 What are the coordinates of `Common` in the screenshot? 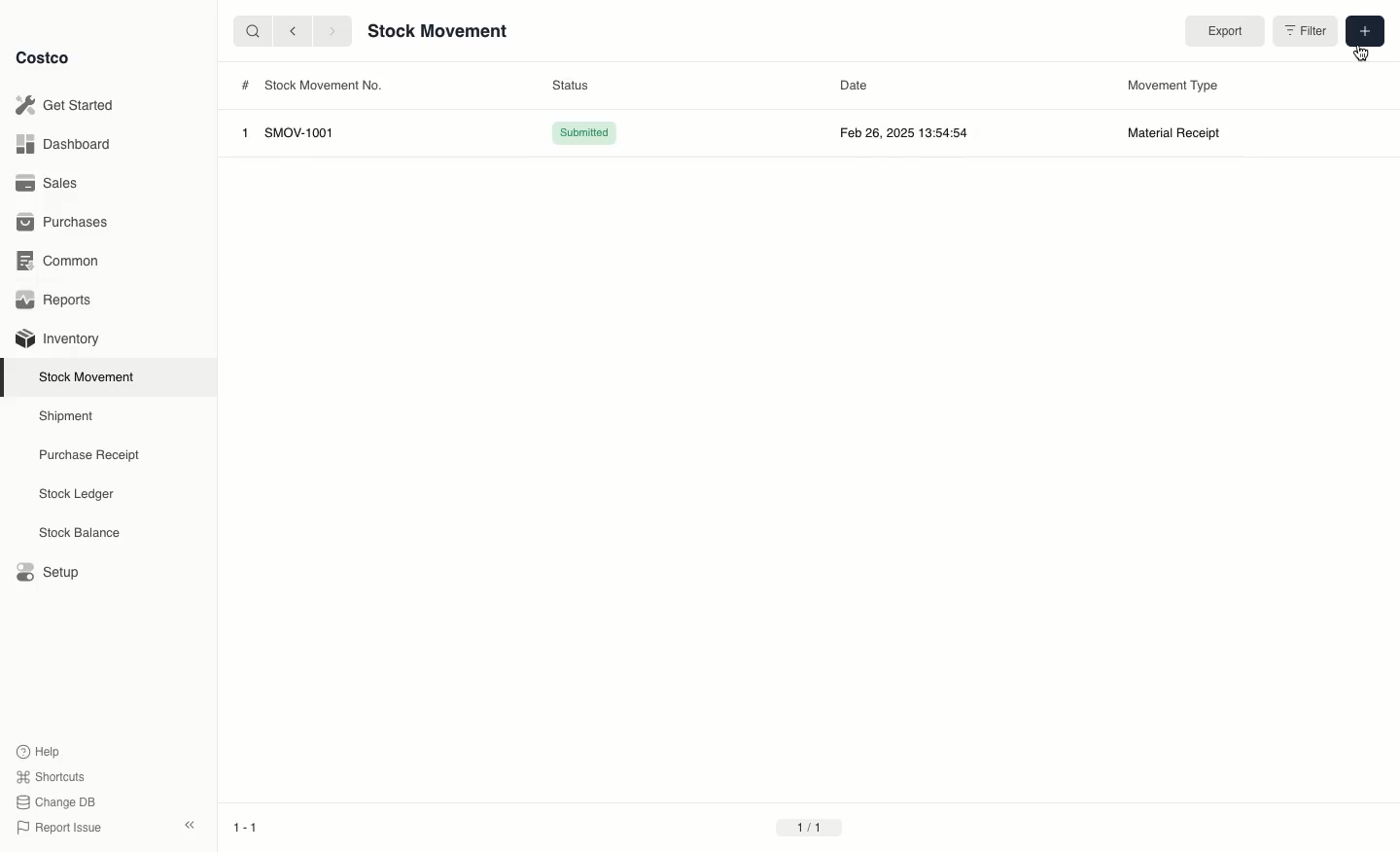 It's located at (63, 263).